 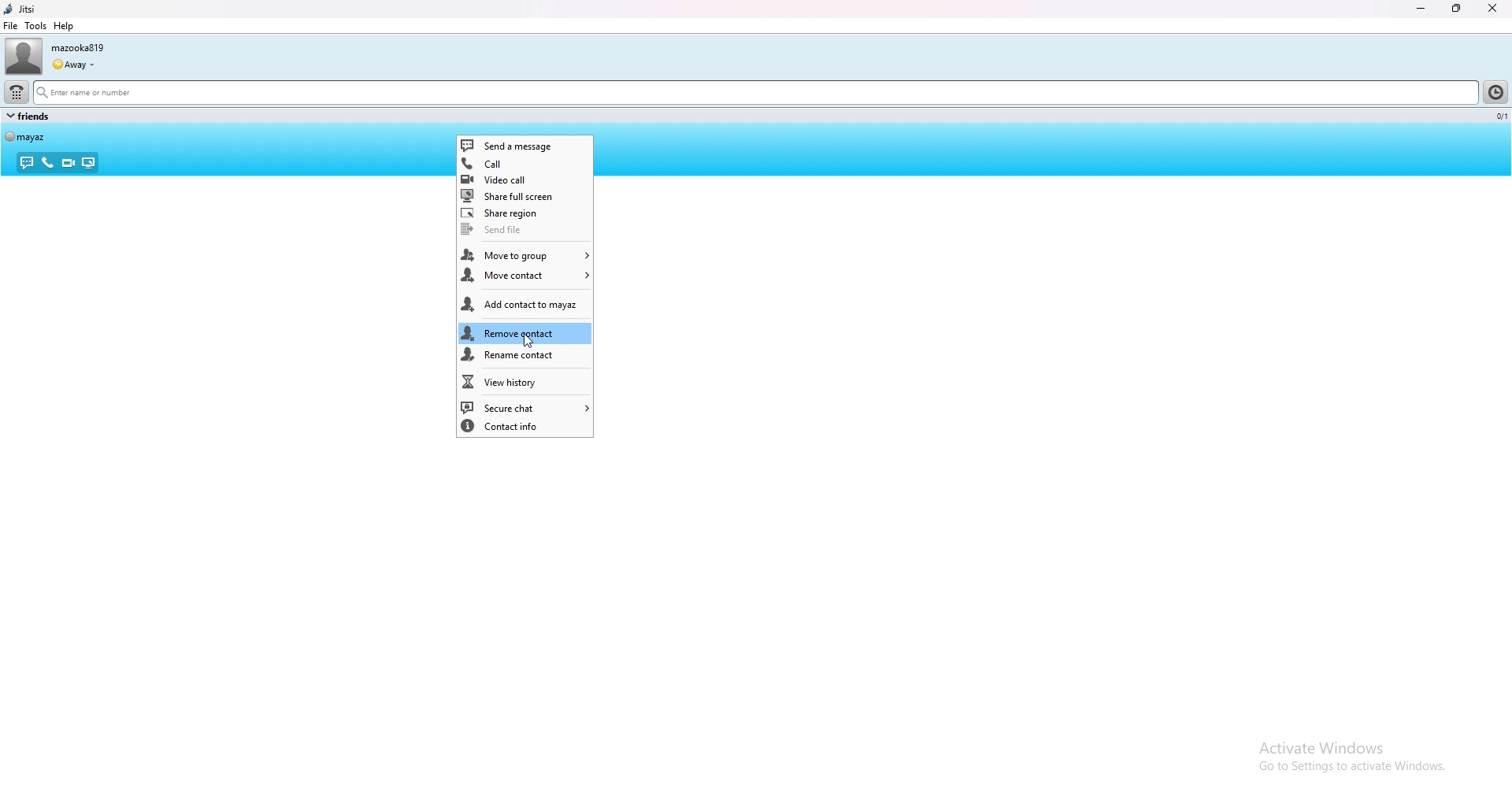 What do you see at coordinates (28, 116) in the screenshot?
I see `group` at bounding box center [28, 116].